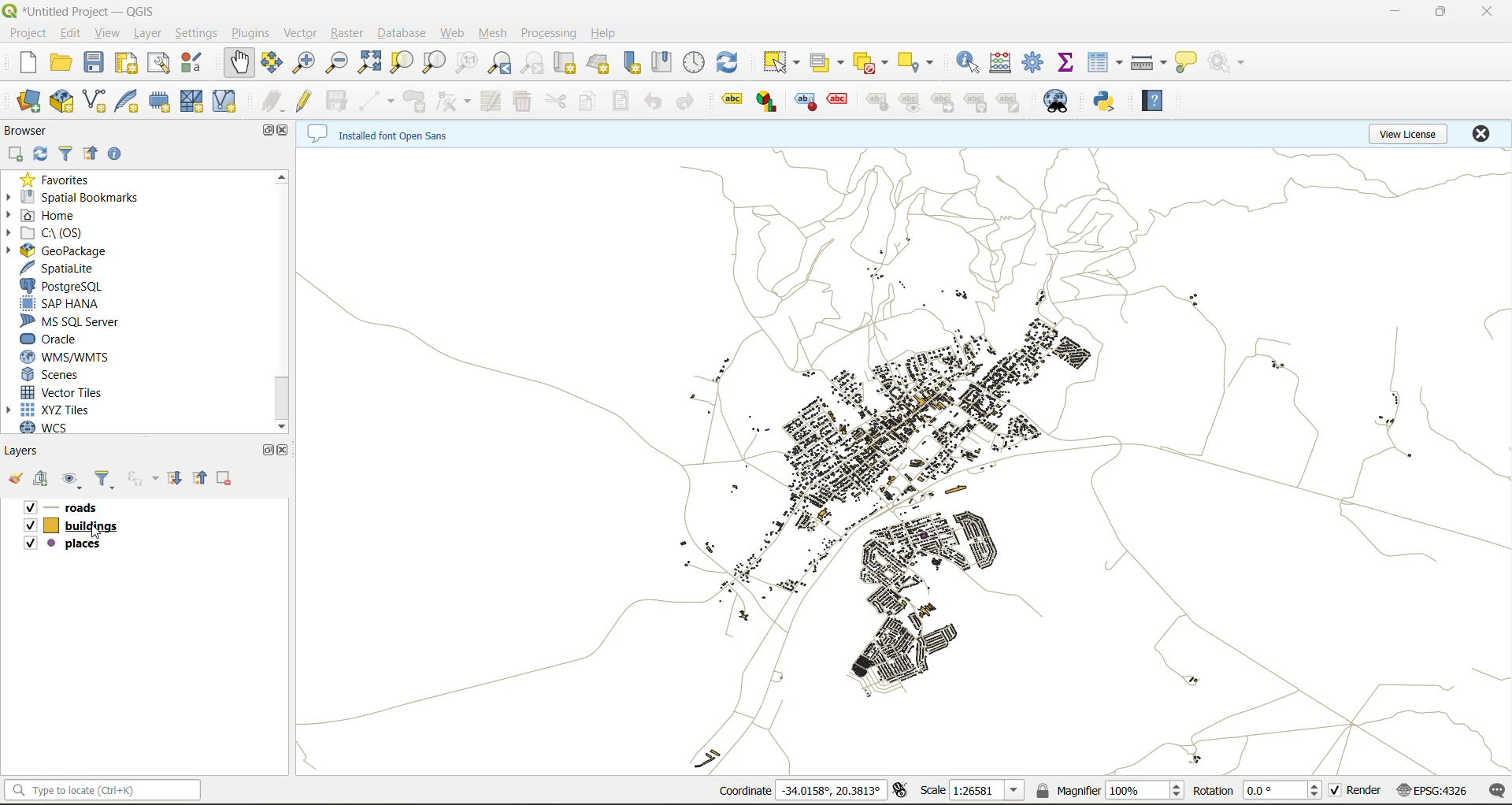 This screenshot has width=1512, height=805. I want to click on help, so click(609, 32).